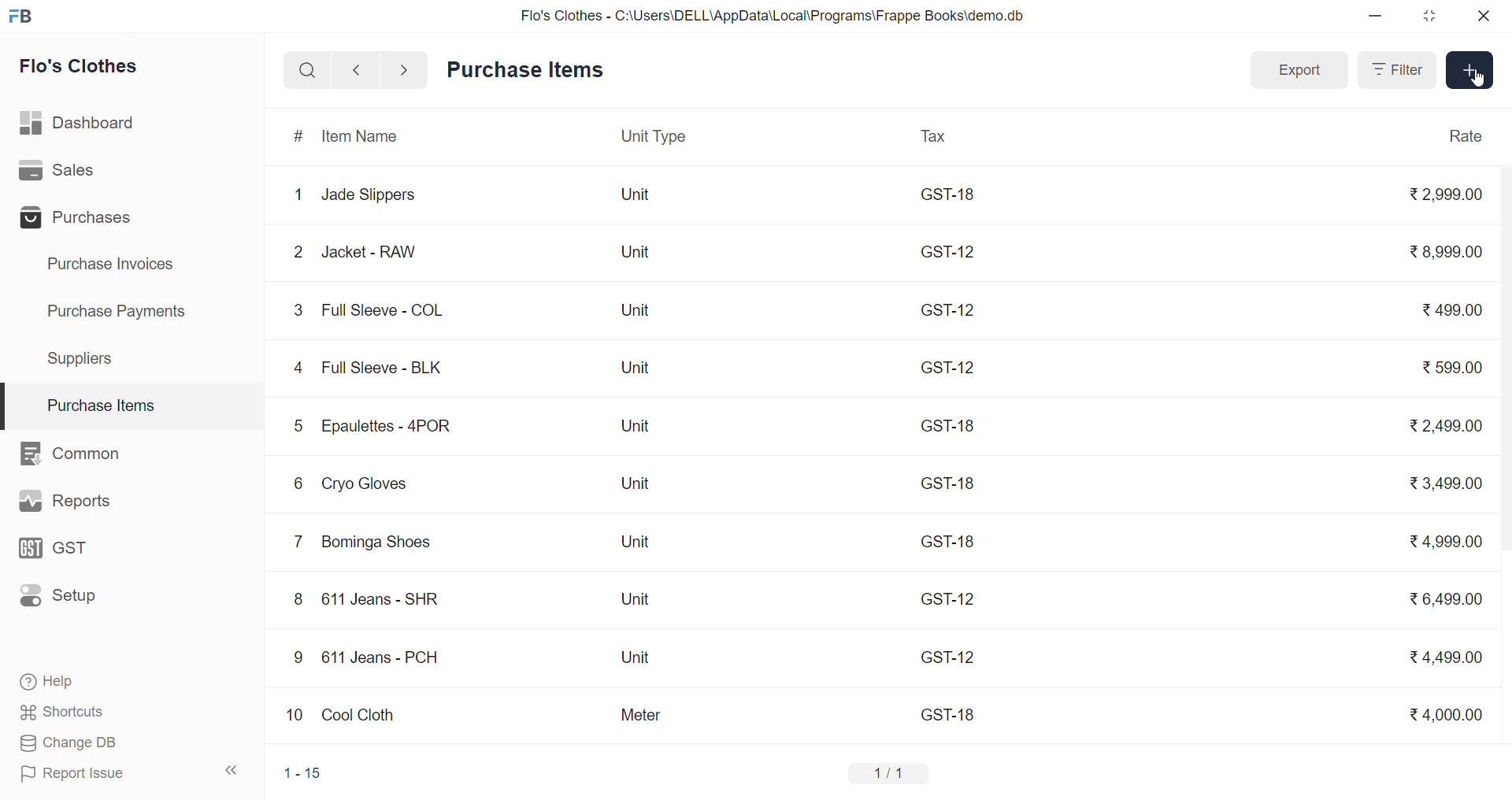  Describe the element at coordinates (637, 544) in the screenshot. I see `Unit` at that location.